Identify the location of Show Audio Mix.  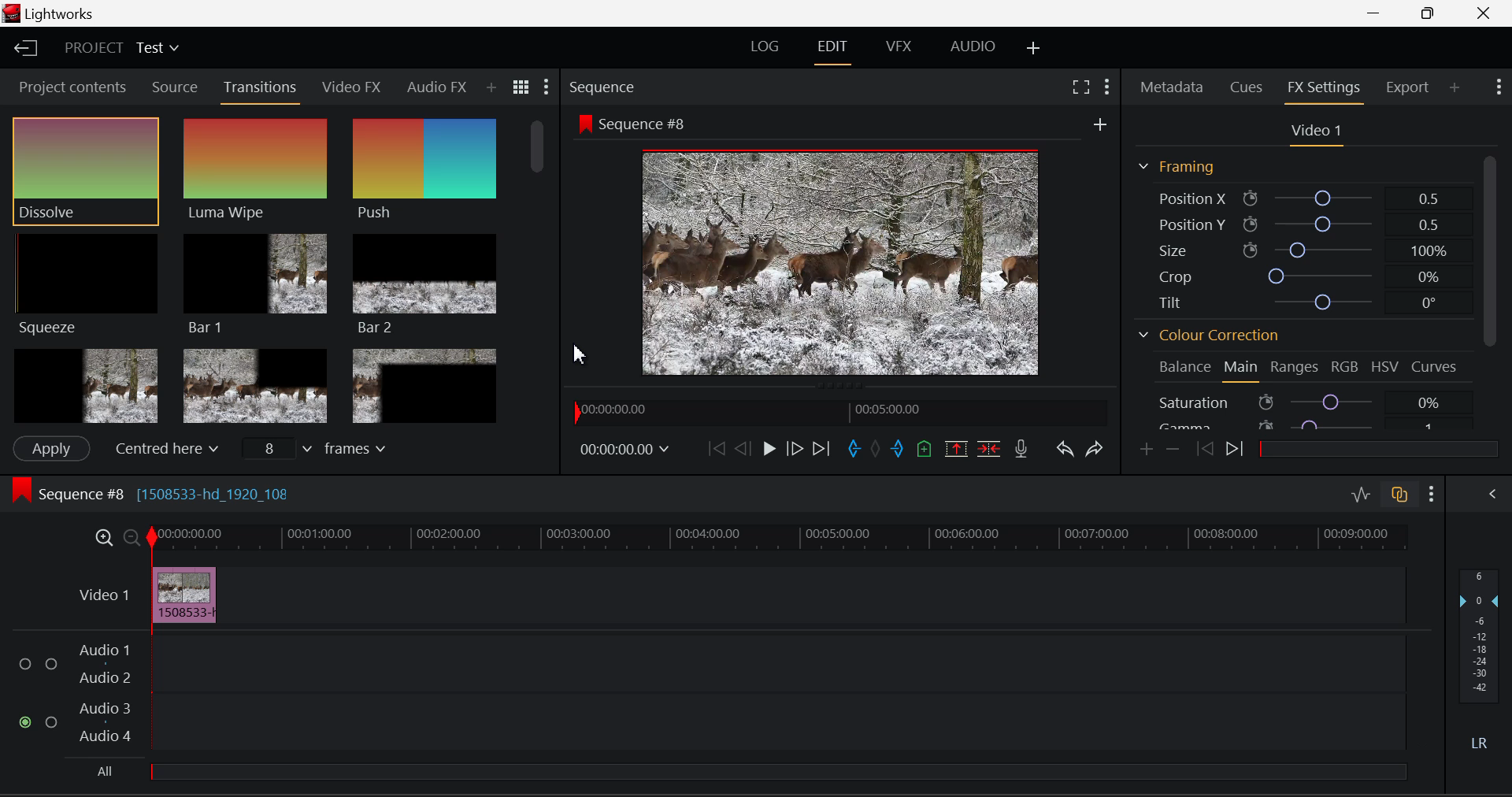
(1492, 494).